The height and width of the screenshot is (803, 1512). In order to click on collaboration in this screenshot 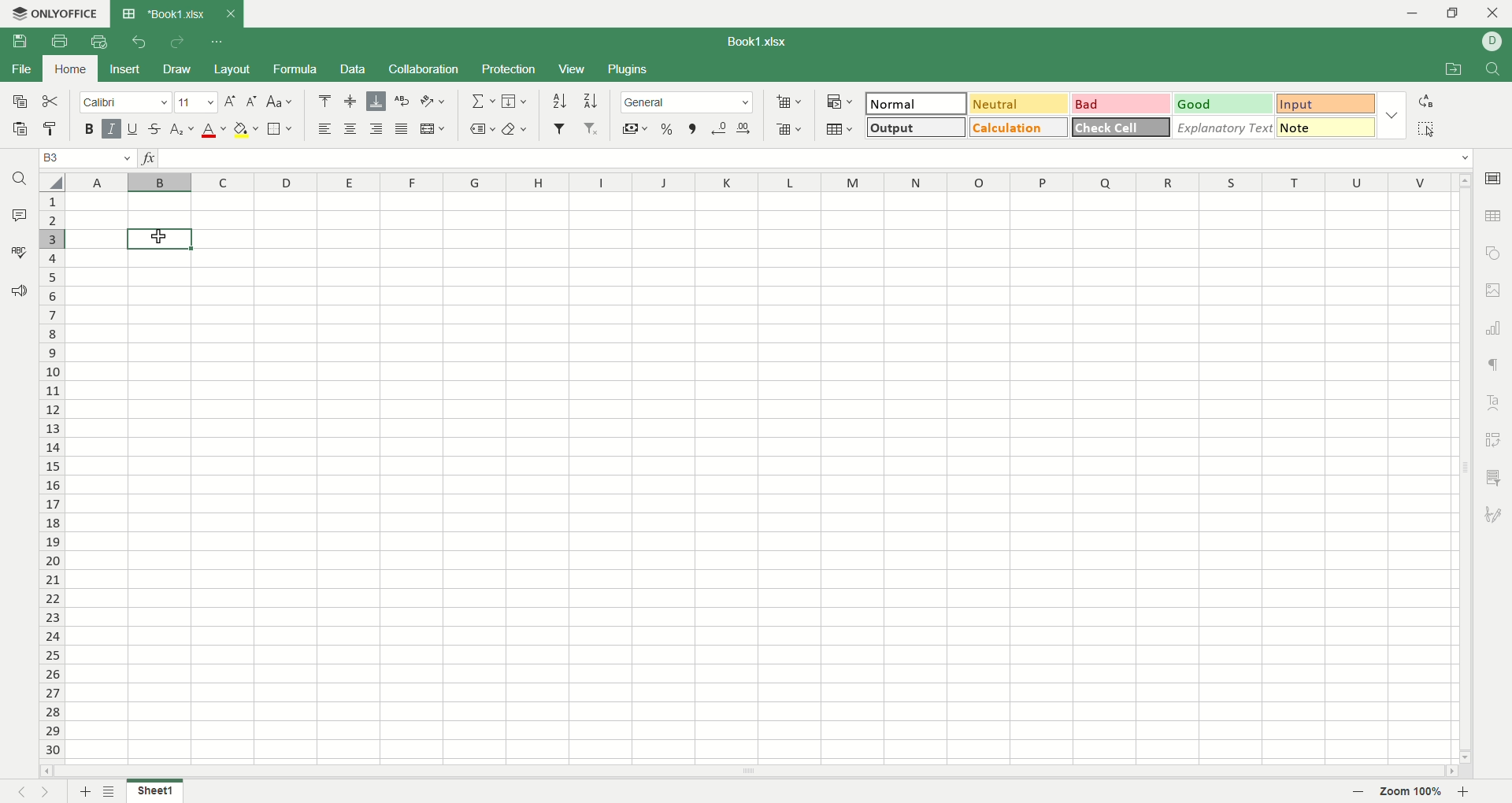, I will do `click(425, 68)`.